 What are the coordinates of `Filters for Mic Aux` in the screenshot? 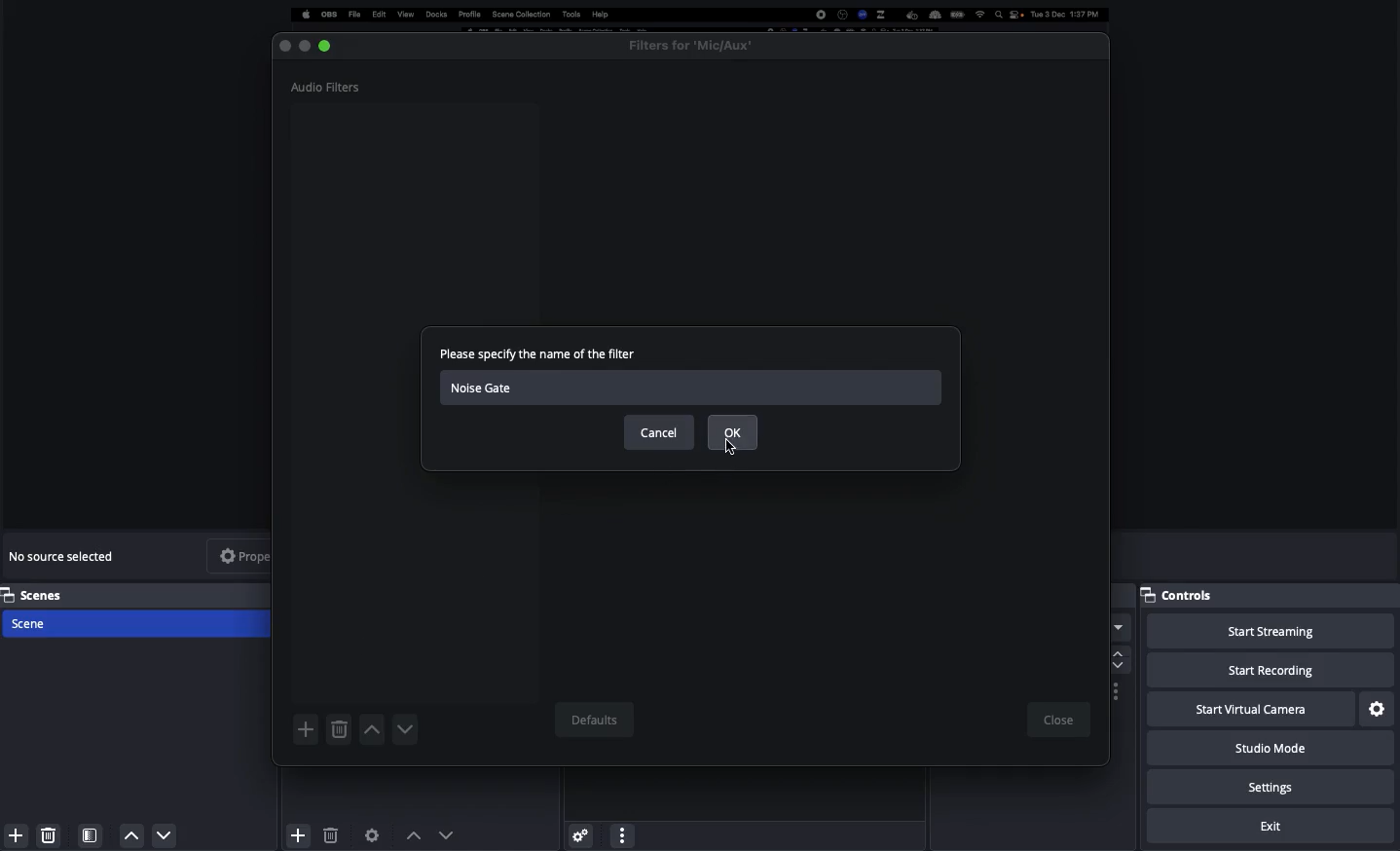 It's located at (691, 45).